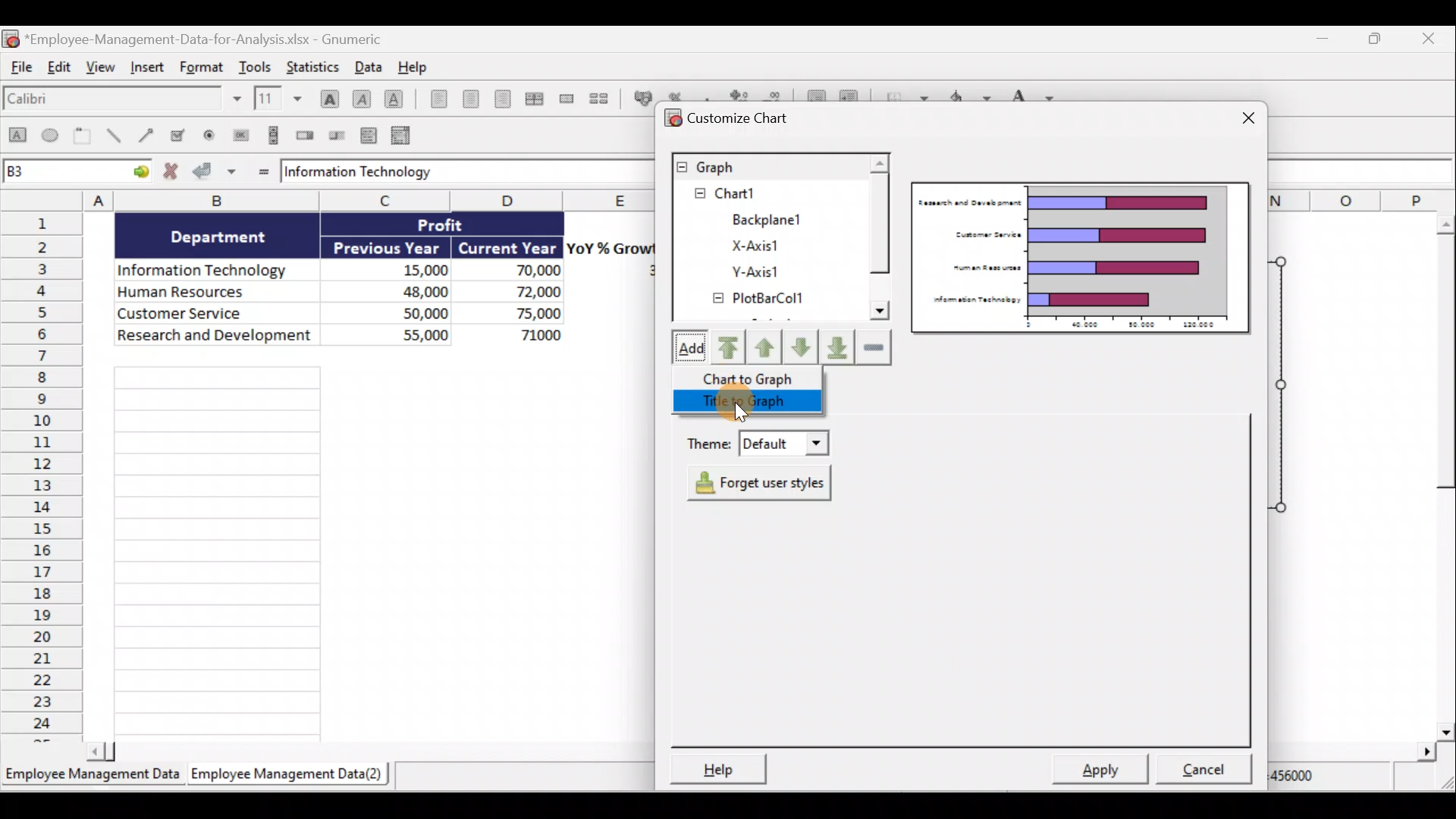 The width and height of the screenshot is (1456, 819). What do you see at coordinates (42, 478) in the screenshot?
I see `Rows` at bounding box center [42, 478].